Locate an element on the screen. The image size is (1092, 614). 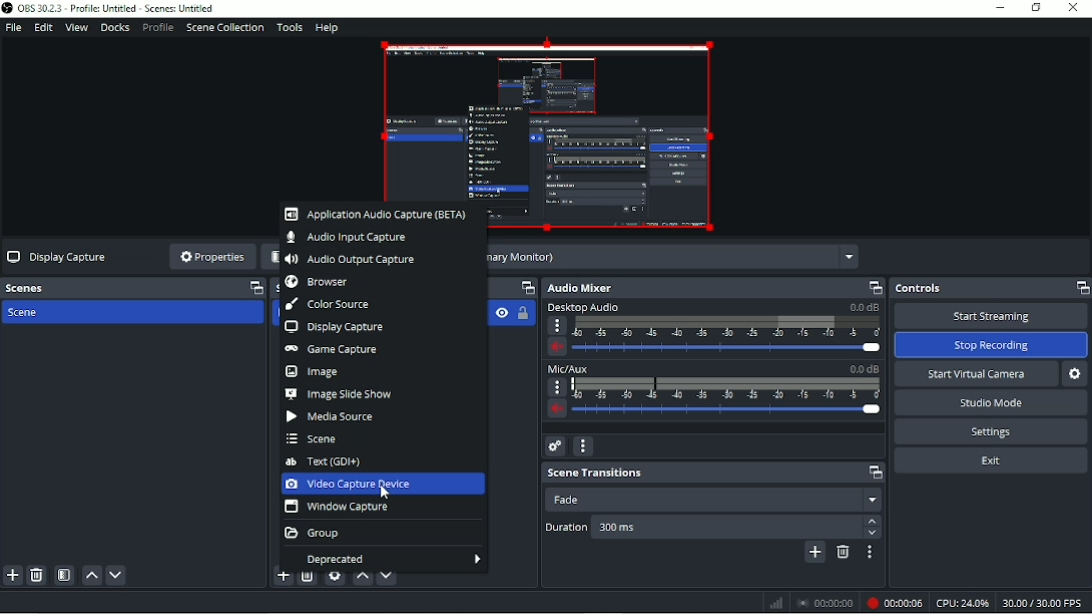
Minimize is located at coordinates (998, 8).